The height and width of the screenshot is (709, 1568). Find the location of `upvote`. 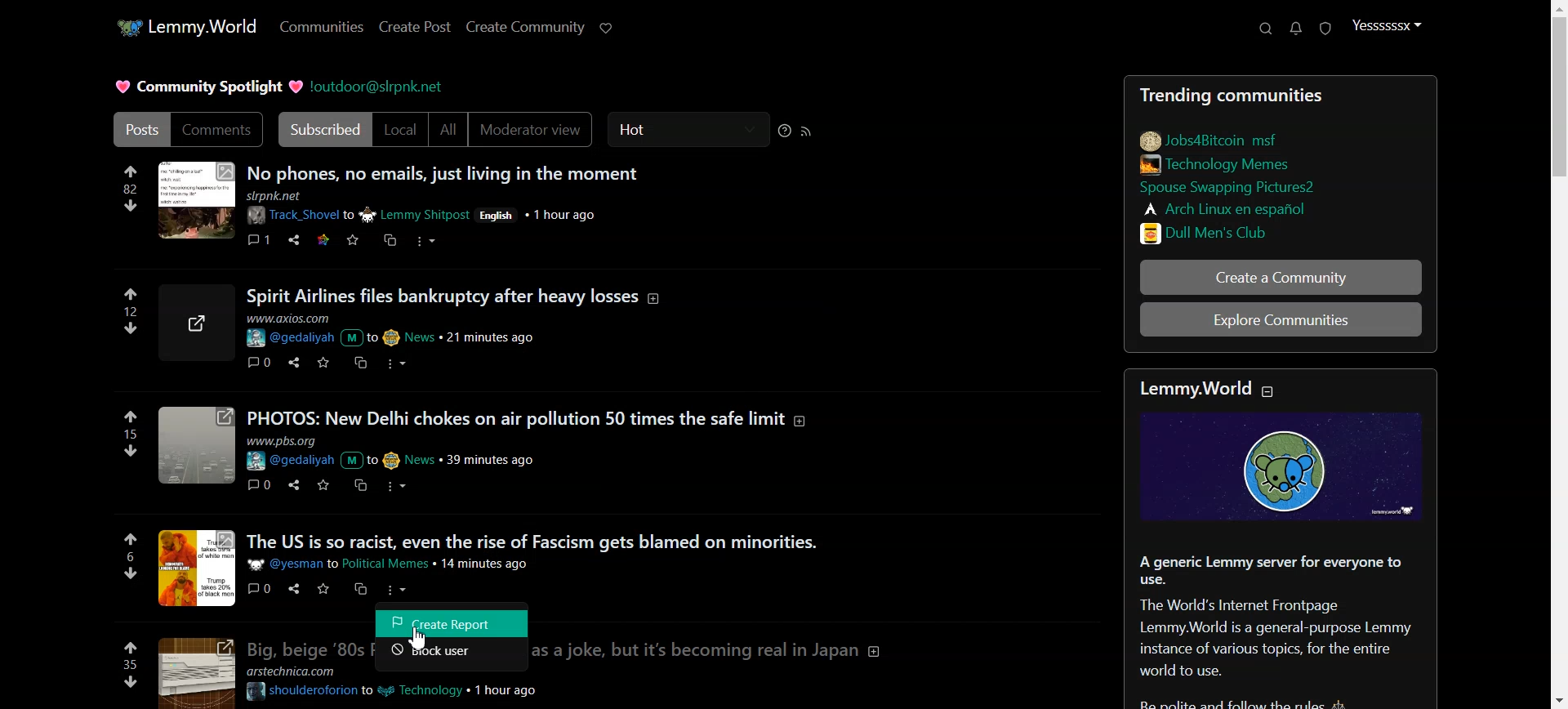

upvote is located at coordinates (131, 295).